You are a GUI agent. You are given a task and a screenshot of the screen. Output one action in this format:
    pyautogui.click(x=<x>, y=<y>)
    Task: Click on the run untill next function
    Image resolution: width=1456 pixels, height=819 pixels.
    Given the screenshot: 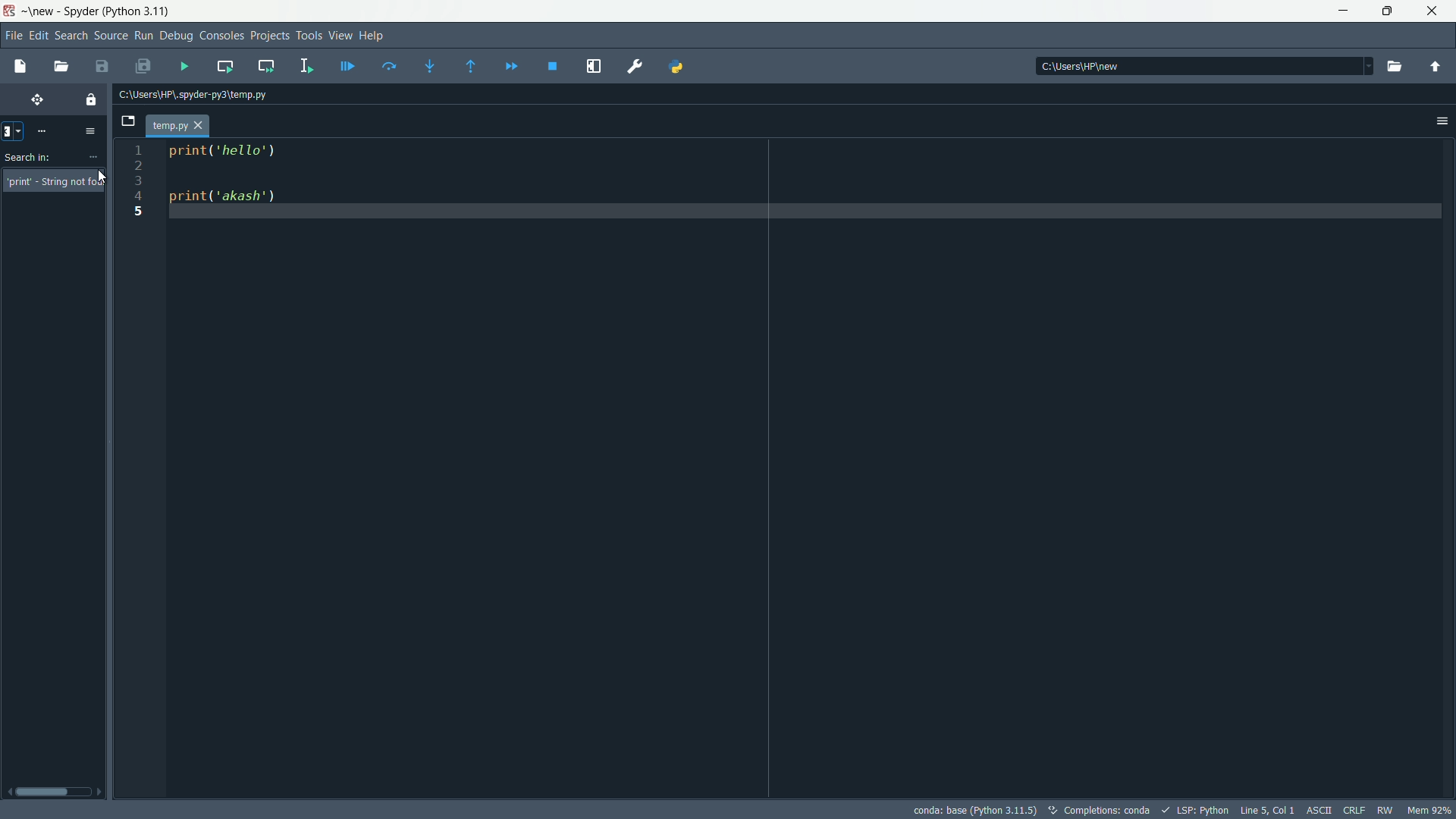 What is the action you would take?
    pyautogui.click(x=468, y=66)
    